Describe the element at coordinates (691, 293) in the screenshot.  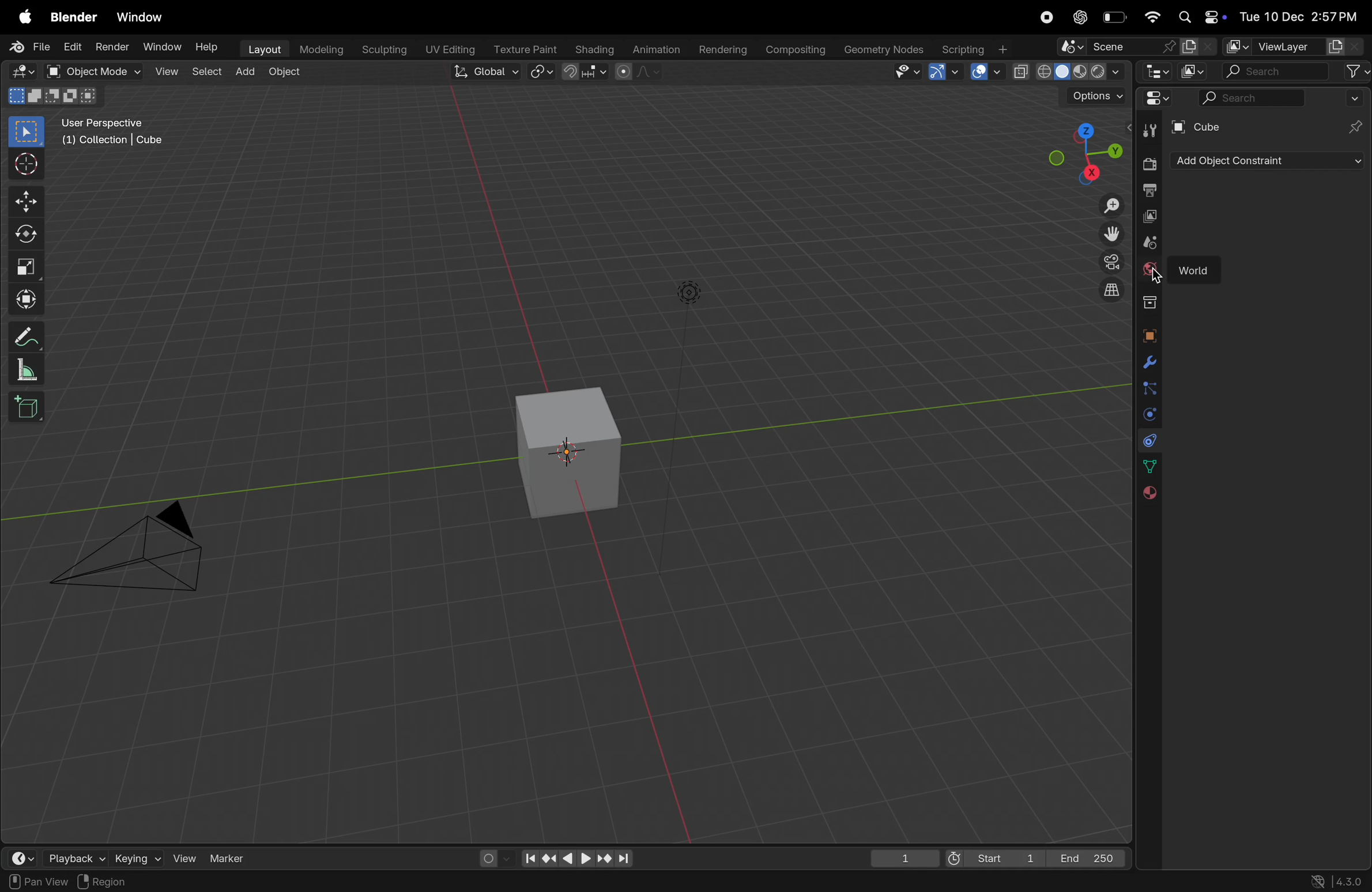
I see `Light` at that location.